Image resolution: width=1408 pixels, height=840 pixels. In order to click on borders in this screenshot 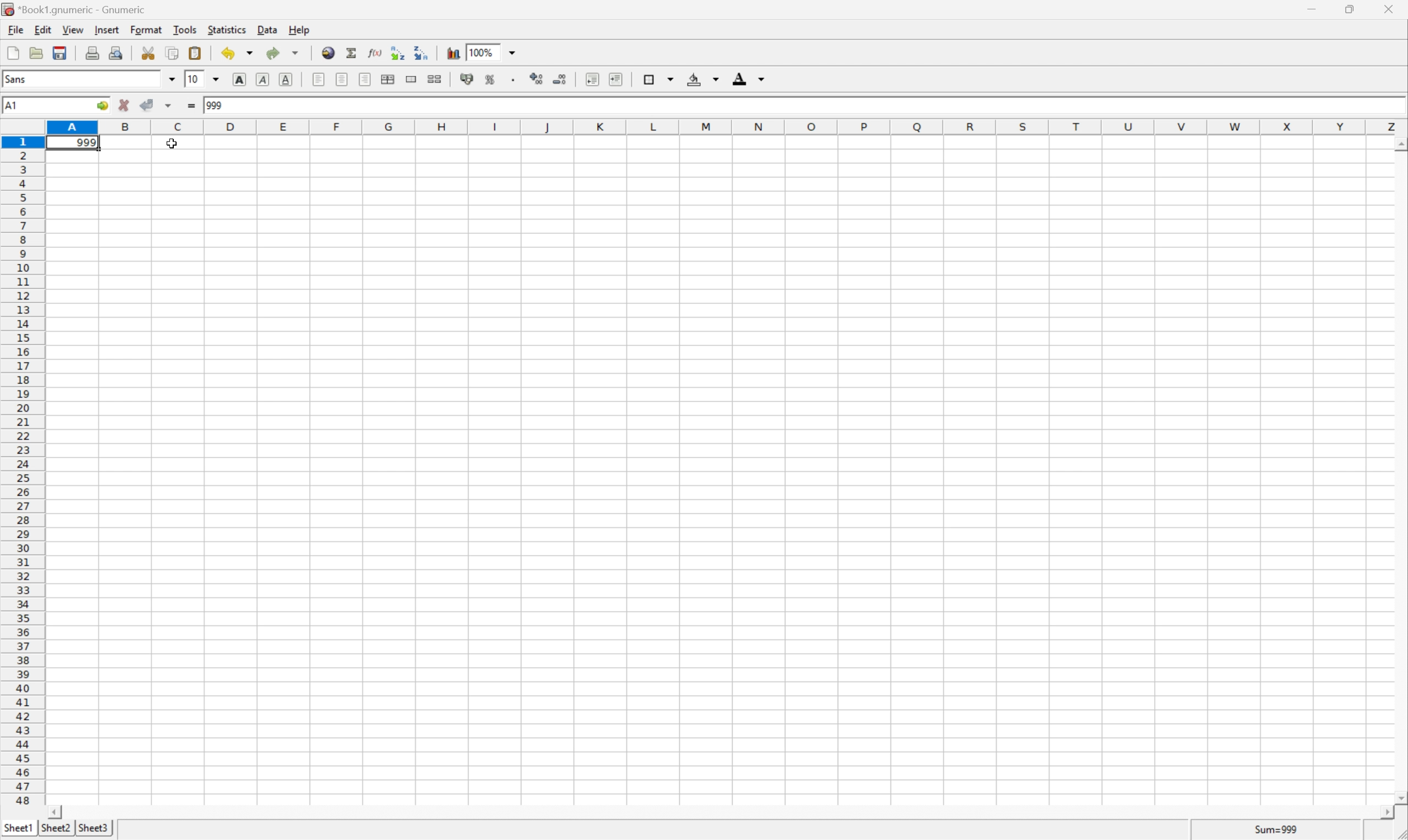, I will do `click(657, 78)`.